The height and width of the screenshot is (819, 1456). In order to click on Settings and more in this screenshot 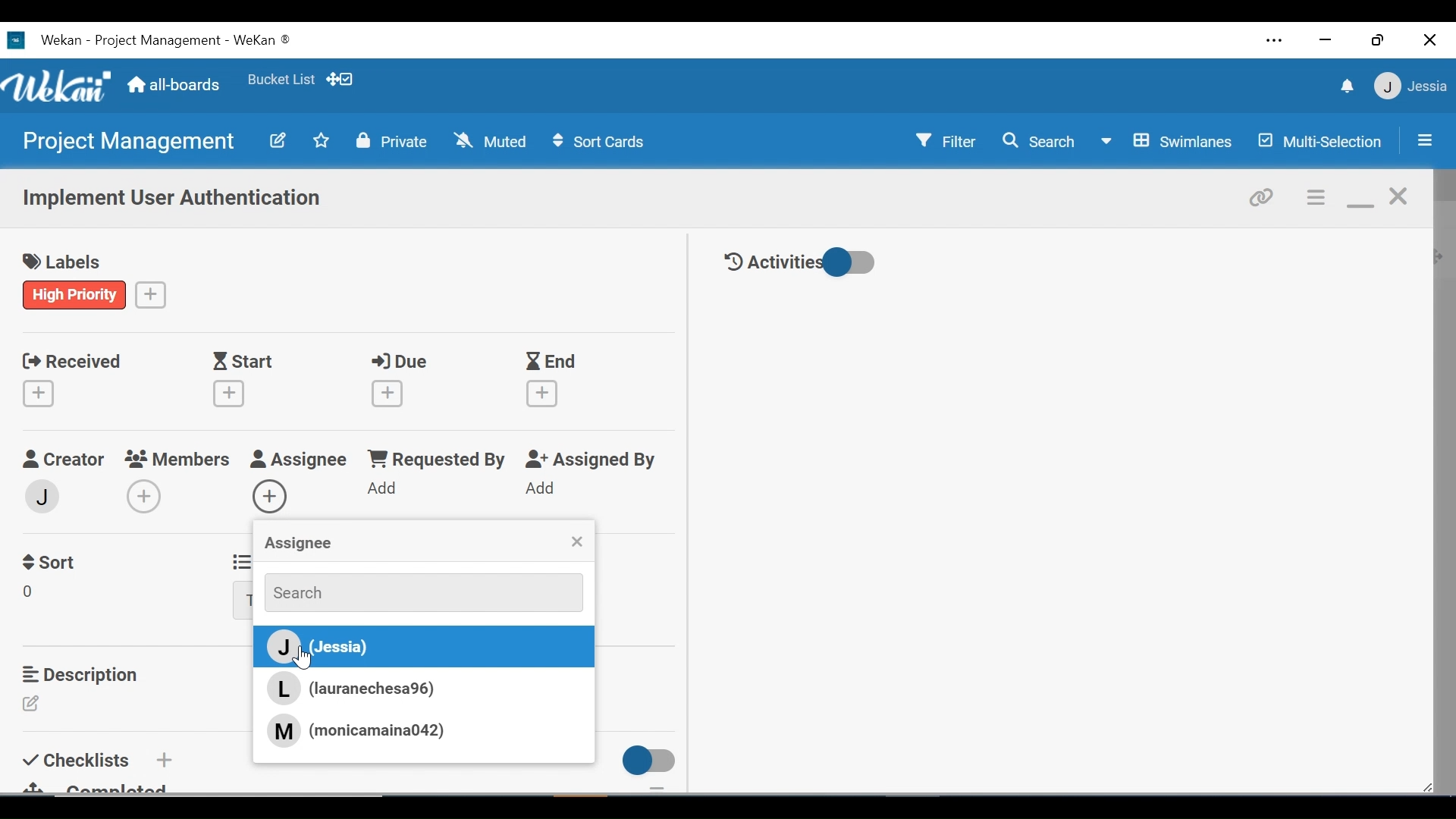, I will do `click(1276, 42)`.